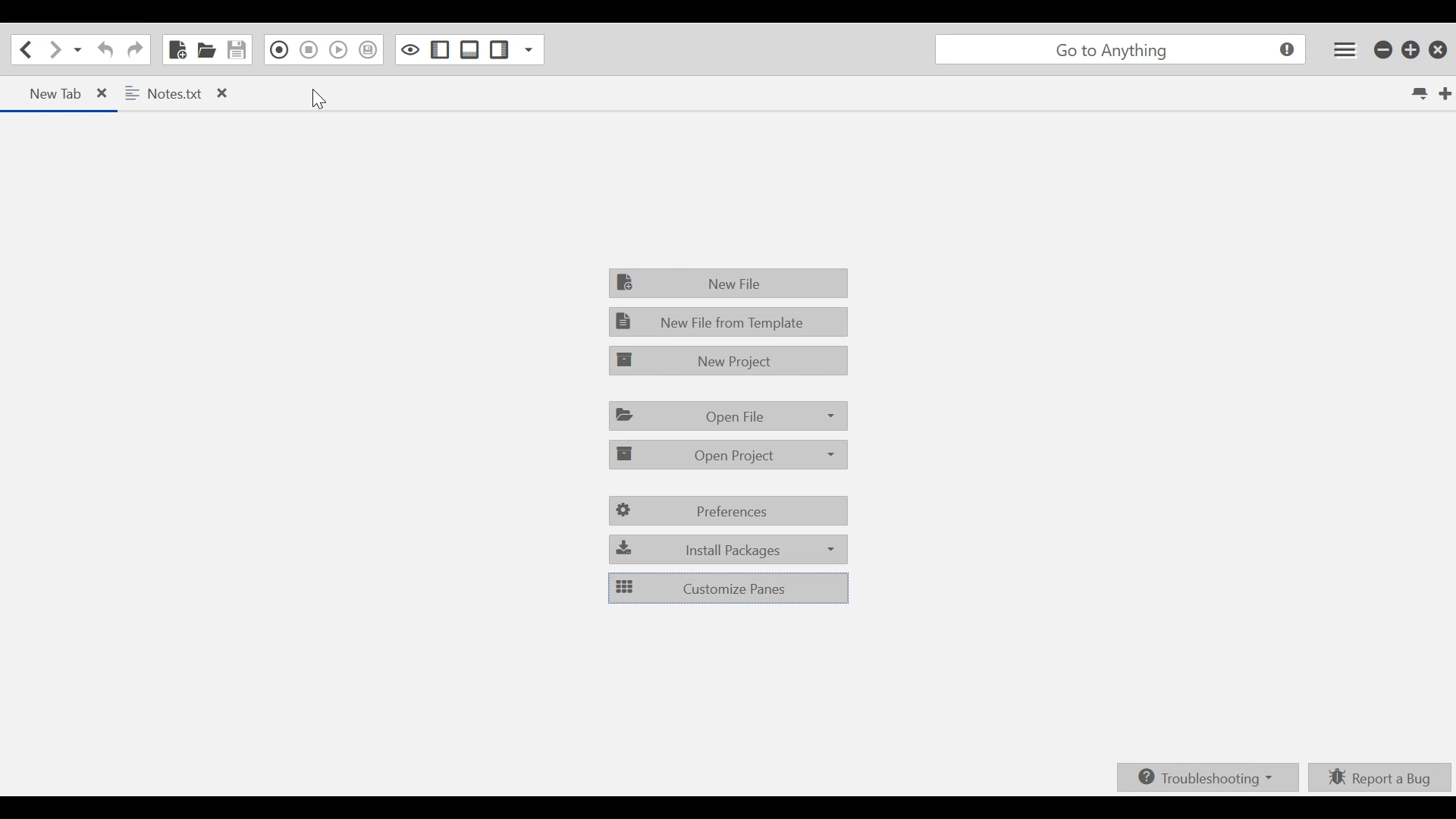  Describe the element at coordinates (727, 417) in the screenshot. I see `Open File` at that location.